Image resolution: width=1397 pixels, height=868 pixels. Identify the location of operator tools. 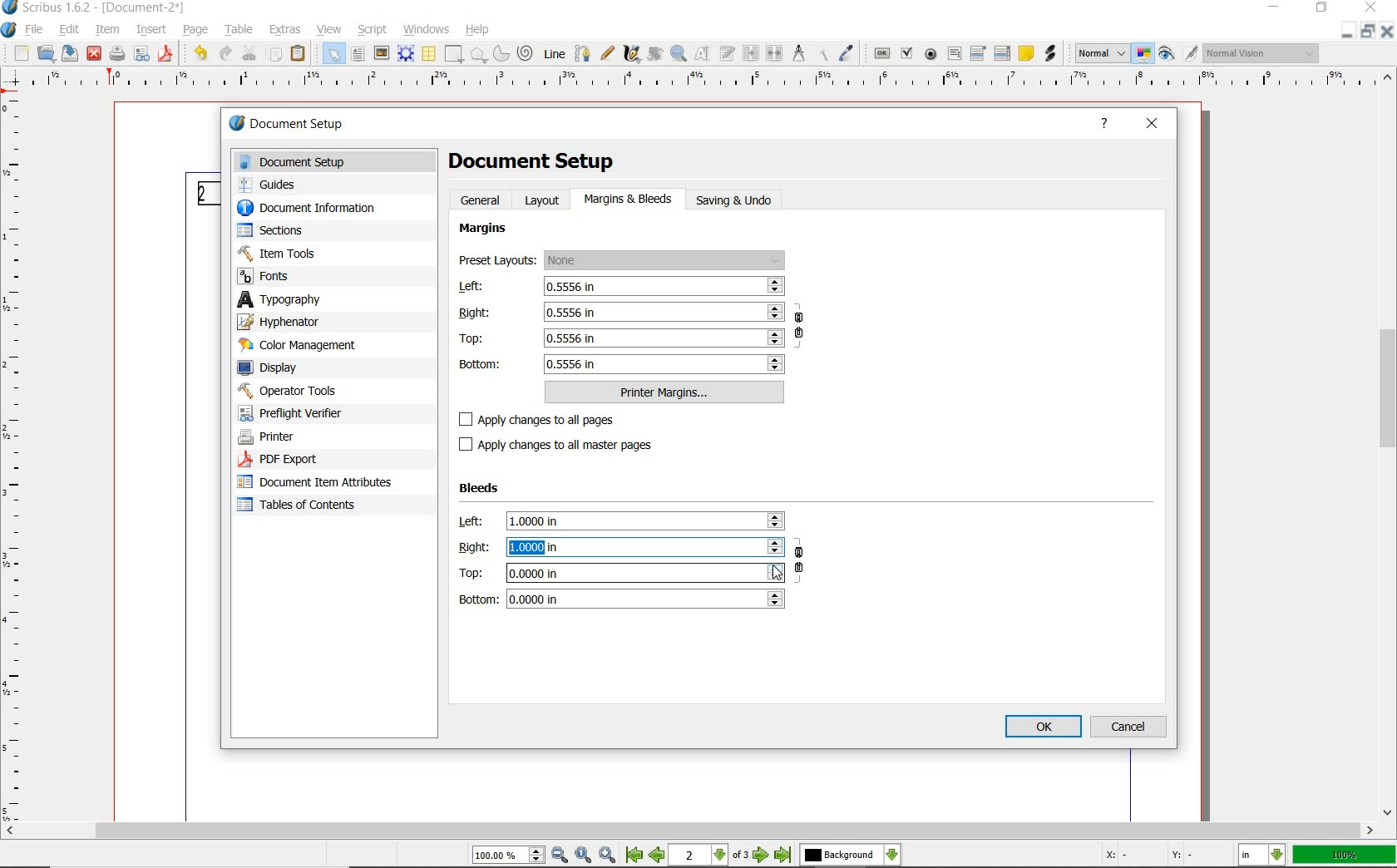
(324, 391).